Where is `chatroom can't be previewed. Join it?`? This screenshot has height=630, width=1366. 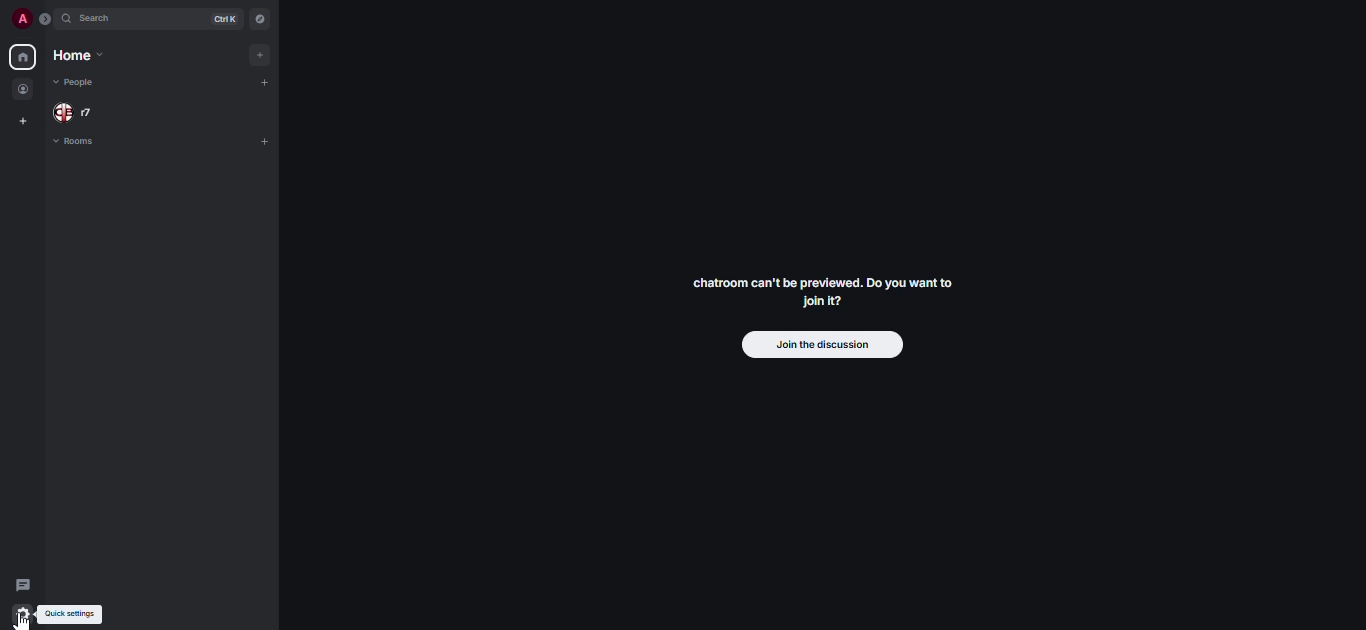 chatroom can't be previewed. Join it? is located at coordinates (822, 294).